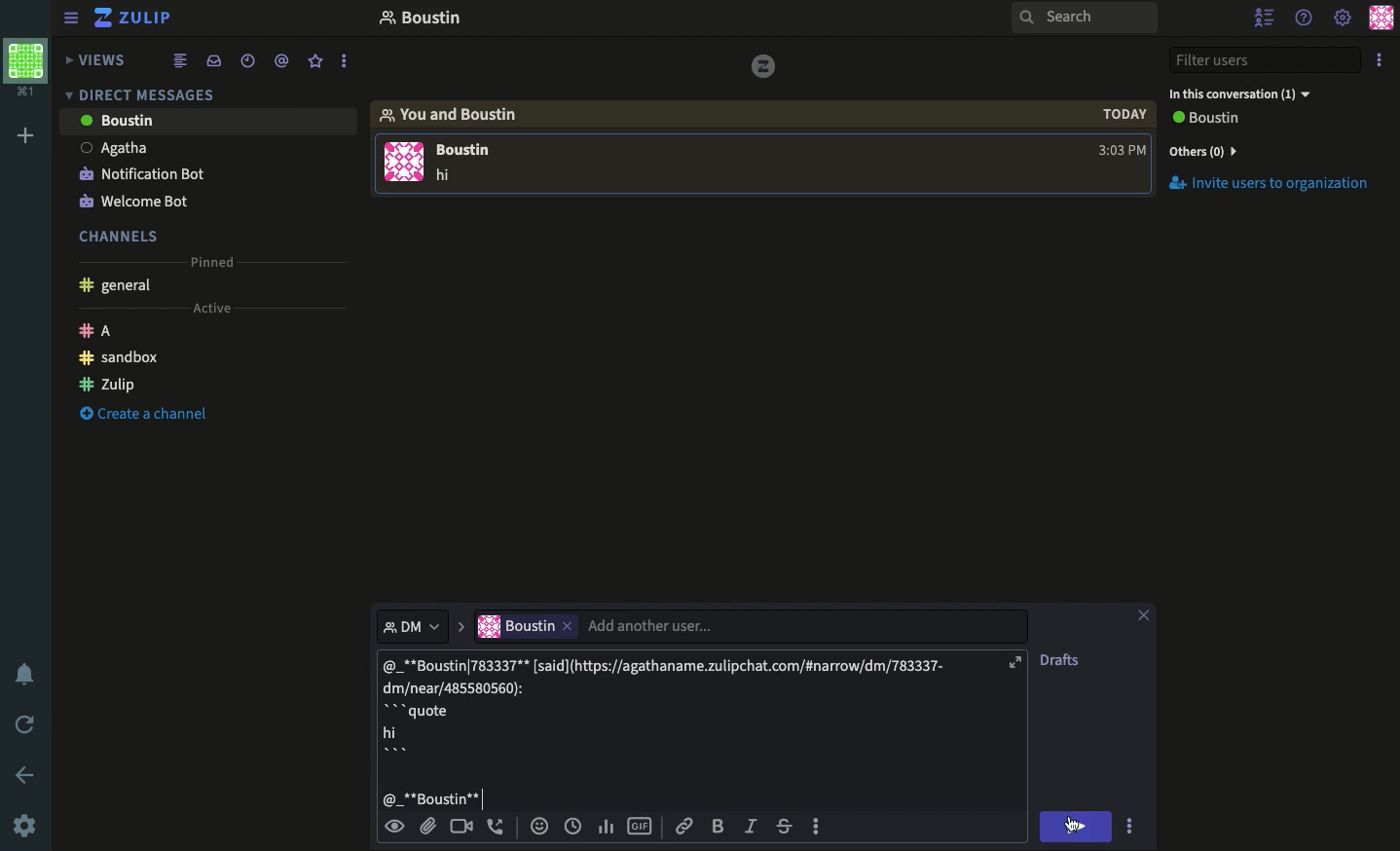  What do you see at coordinates (1217, 120) in the screenshot?
I see `View all users` at bounding box center [1217, 120].